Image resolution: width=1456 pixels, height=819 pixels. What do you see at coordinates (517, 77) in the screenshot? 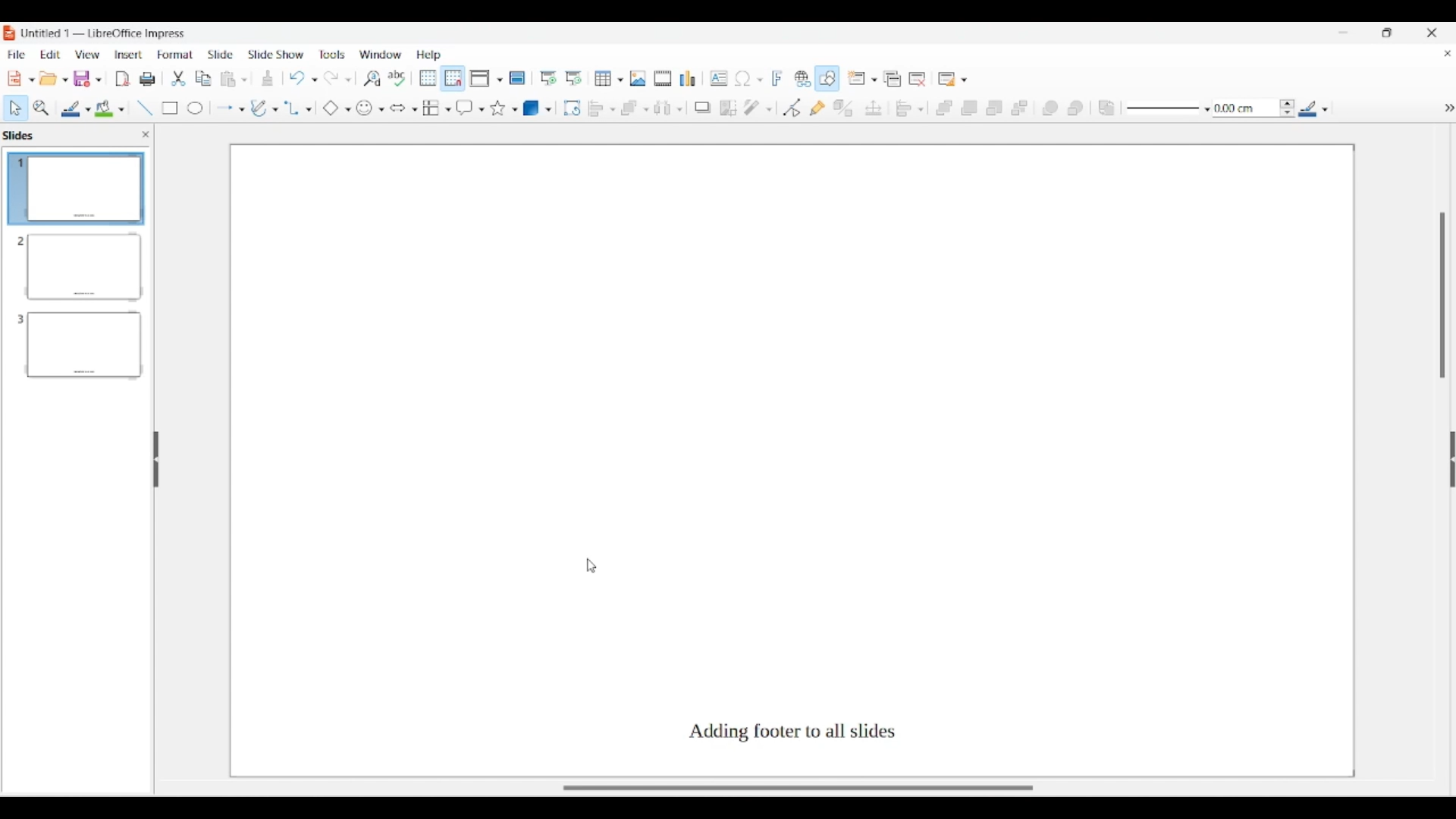
I see `Master slide` at bounding box center [517, 77].